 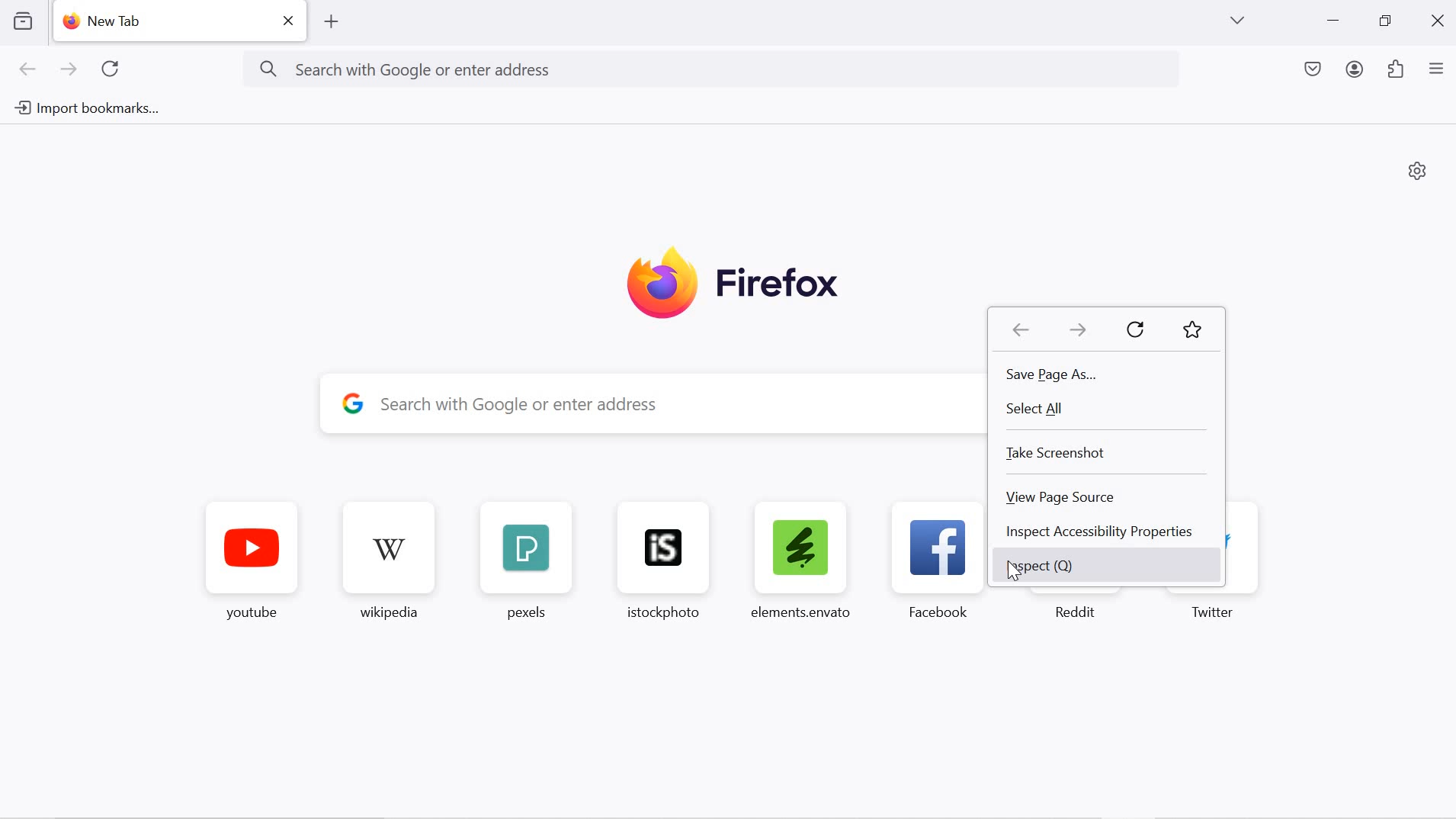 I want to click on pexels, so click(x=525, y=567).